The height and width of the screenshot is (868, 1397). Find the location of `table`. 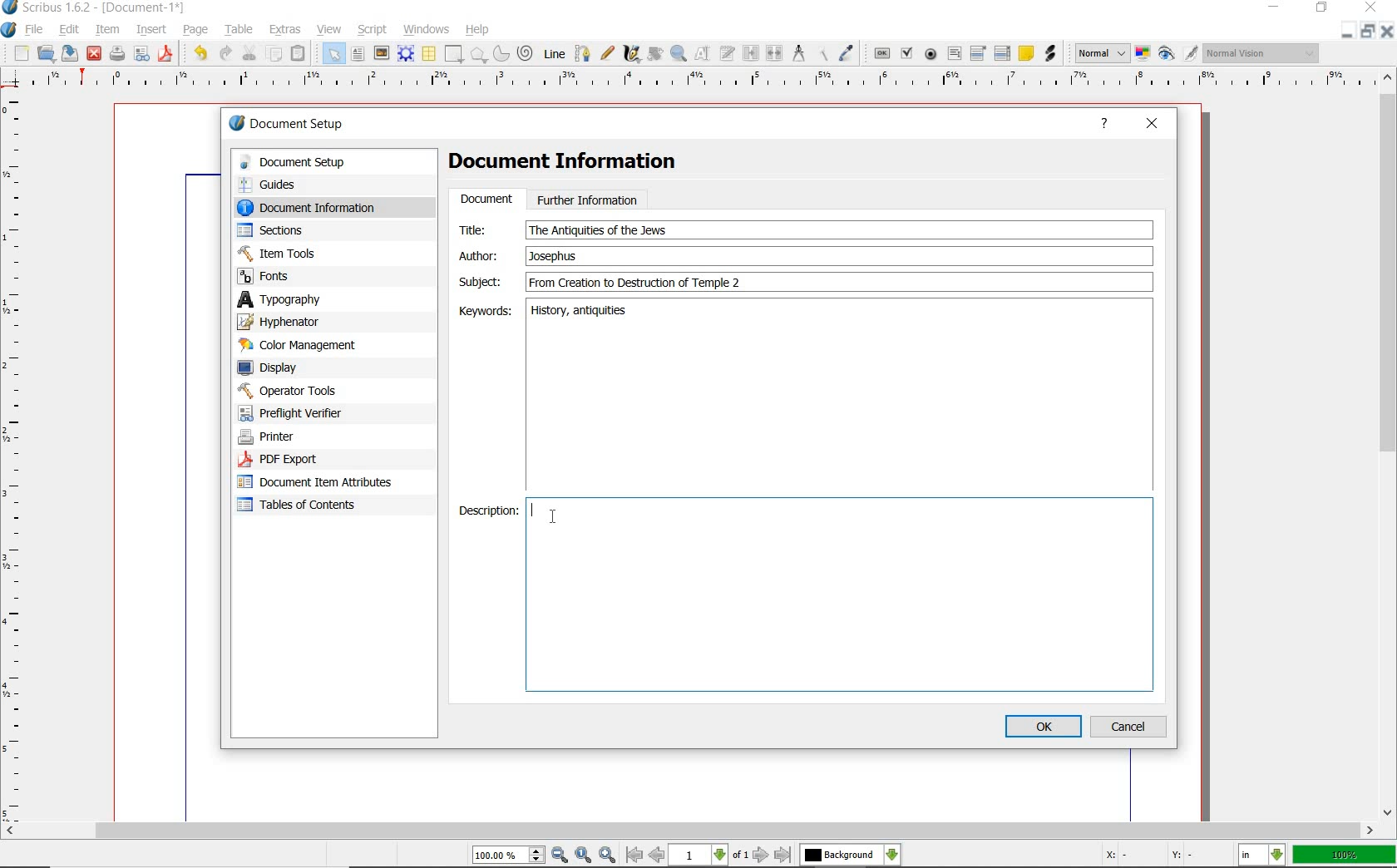

table is located at coordinates (239, 29).